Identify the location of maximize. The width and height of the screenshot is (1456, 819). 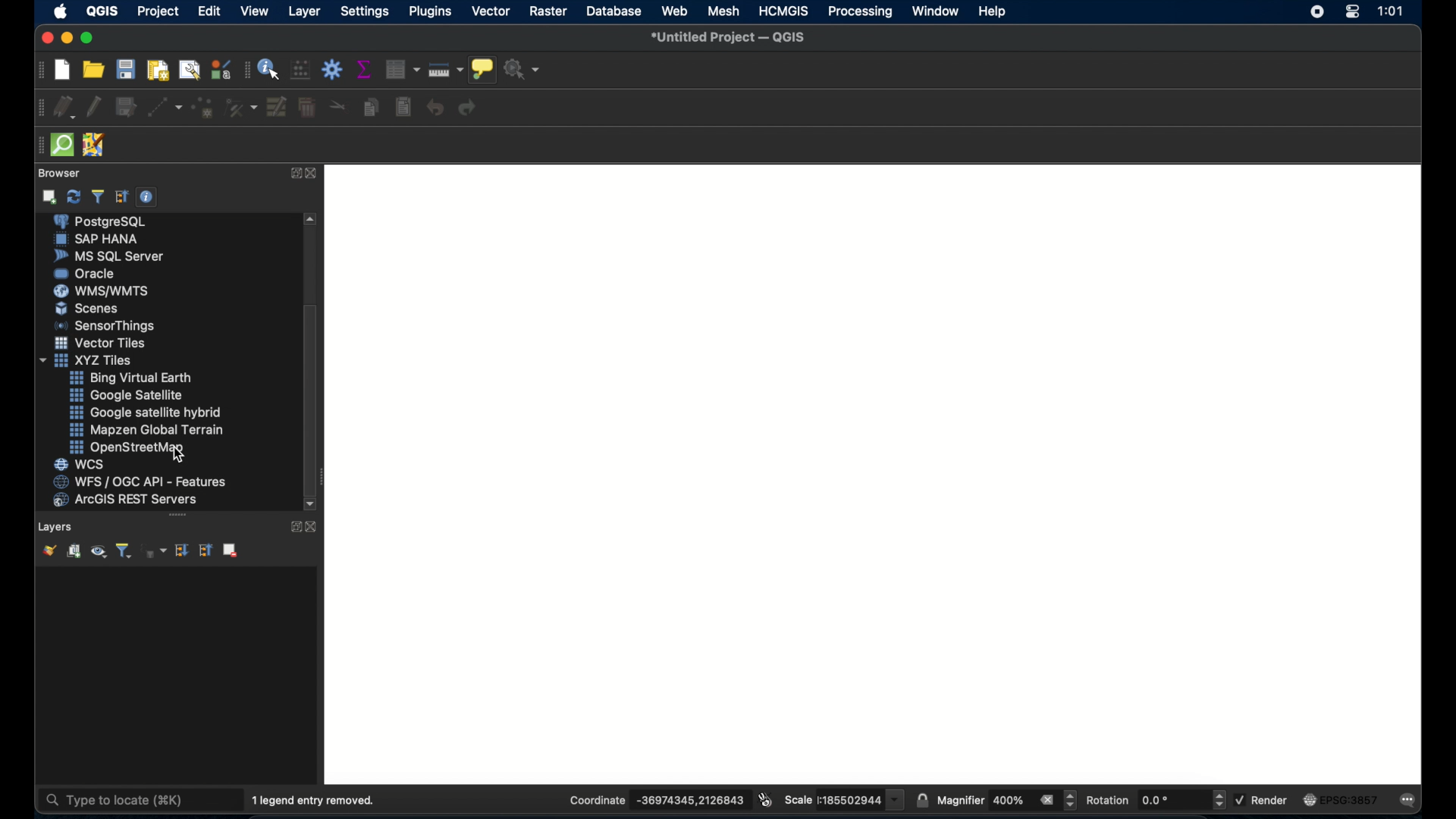
(89, 39).